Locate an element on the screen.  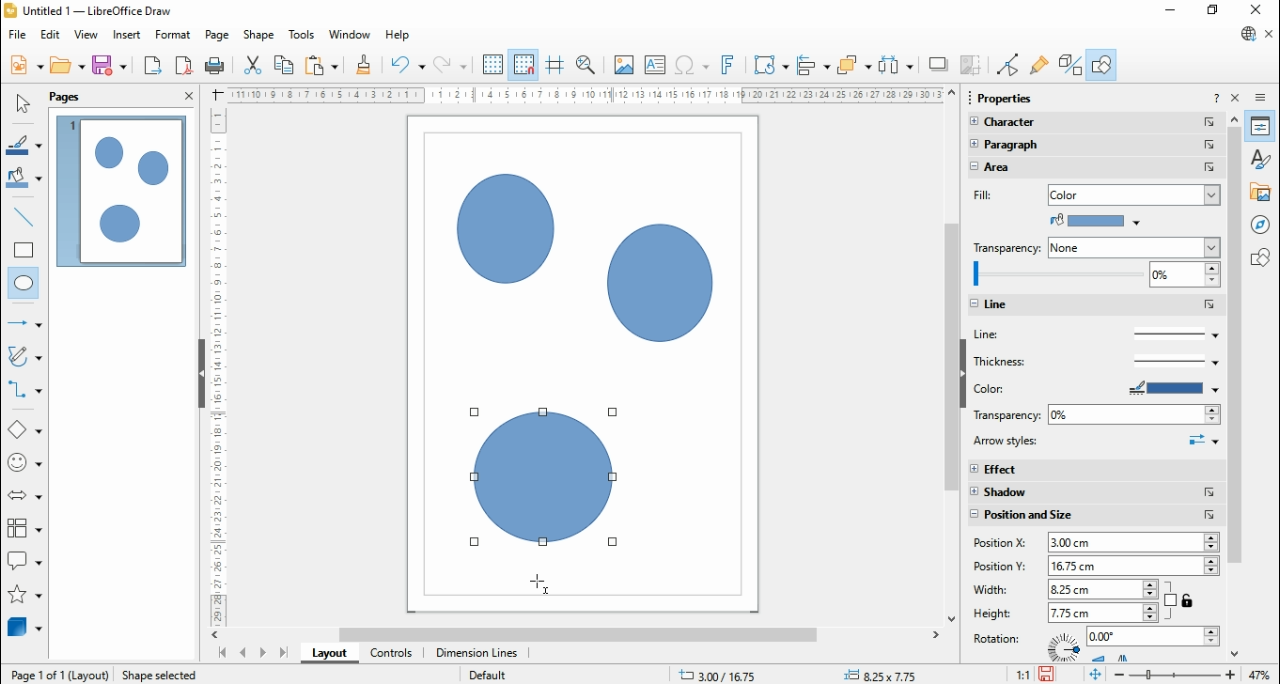
window is located at coordinates (350, 34).